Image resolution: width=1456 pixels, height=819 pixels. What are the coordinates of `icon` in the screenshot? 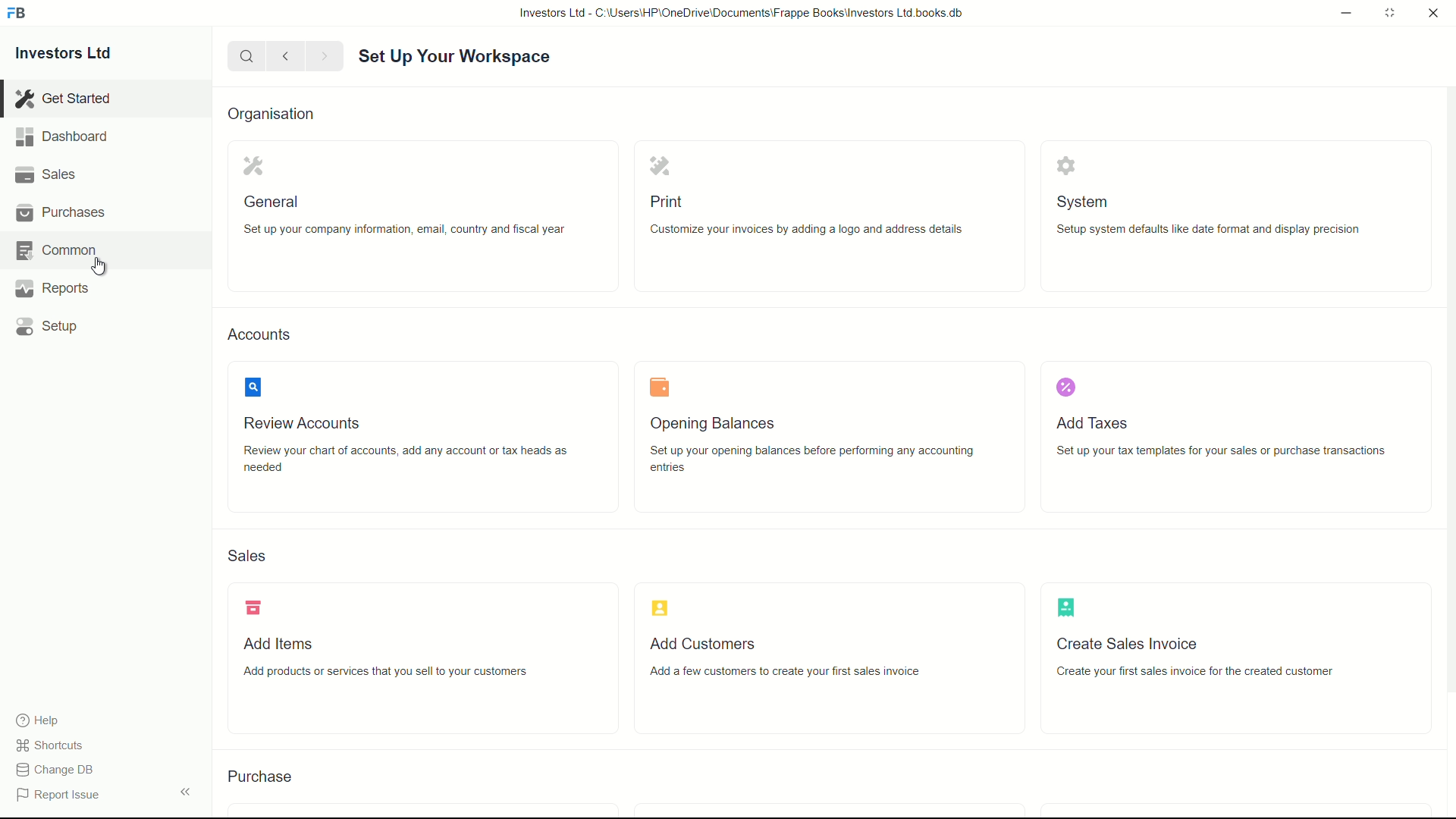 It's located at (659, 607).